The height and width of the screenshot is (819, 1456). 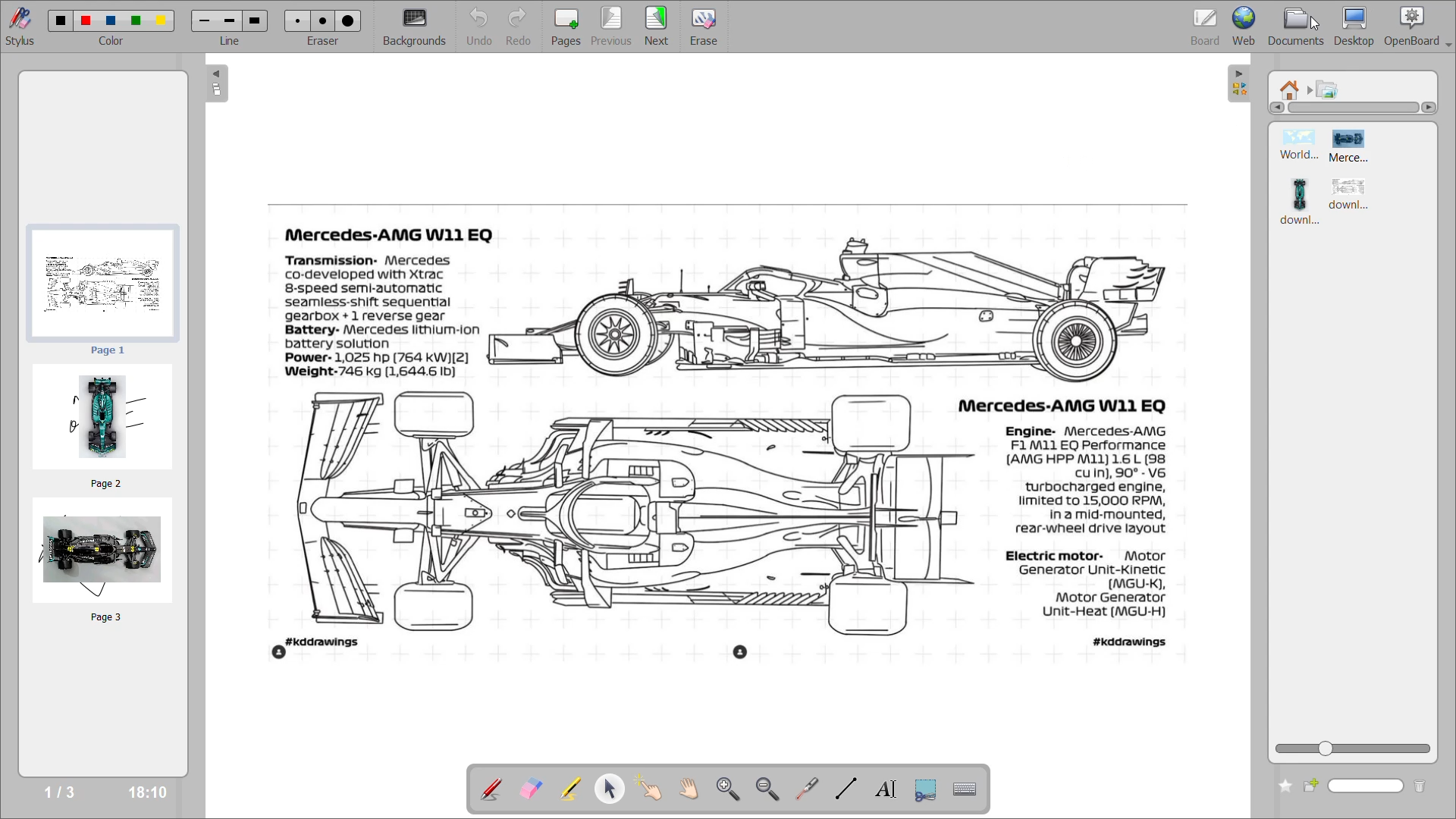 I want to click on downloaded image, so click(x=1301, y=204).